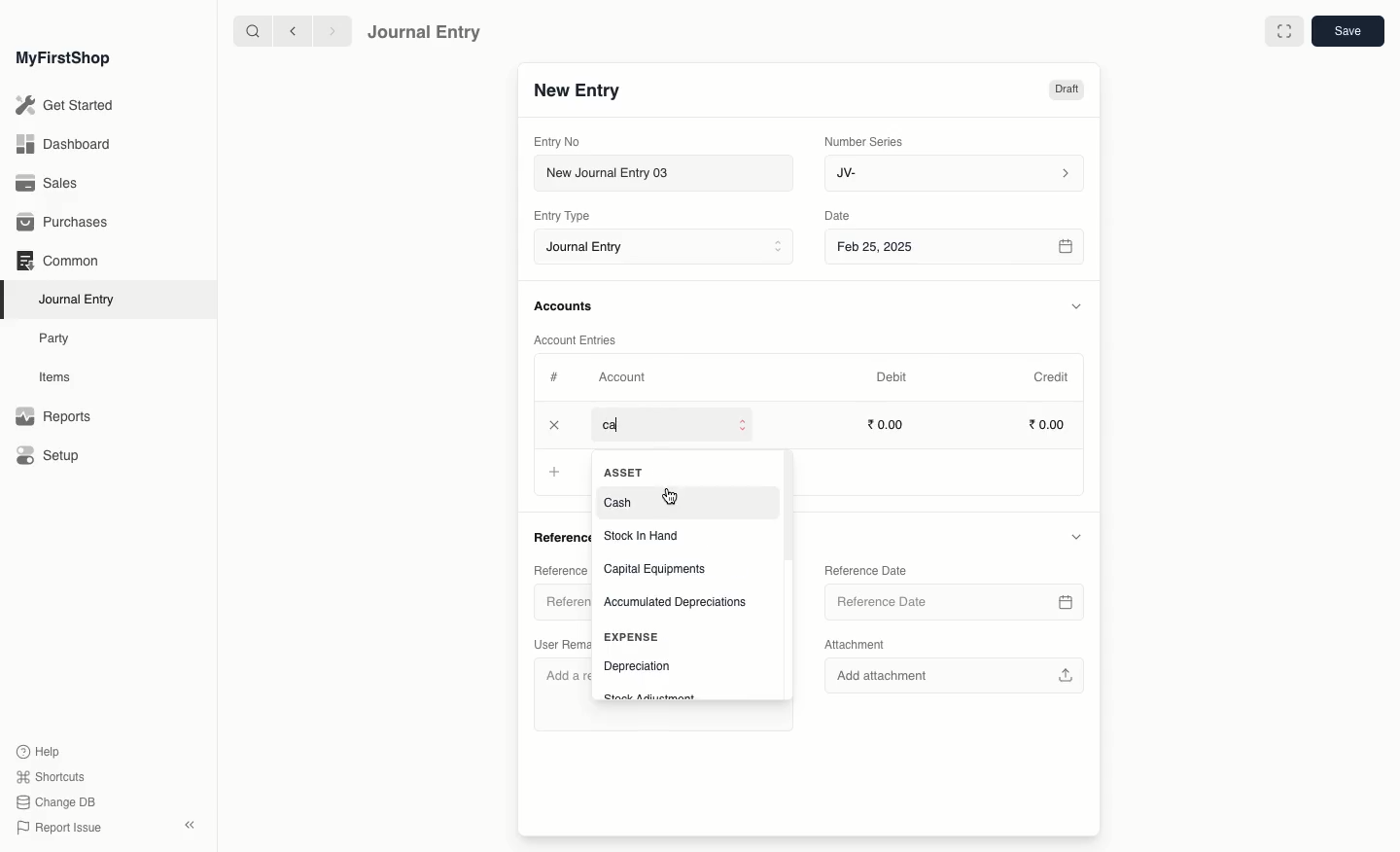  What do you see at coordinates (621, 501) in the screenshot?
I see `Cash` at bounding box center [621, 501].